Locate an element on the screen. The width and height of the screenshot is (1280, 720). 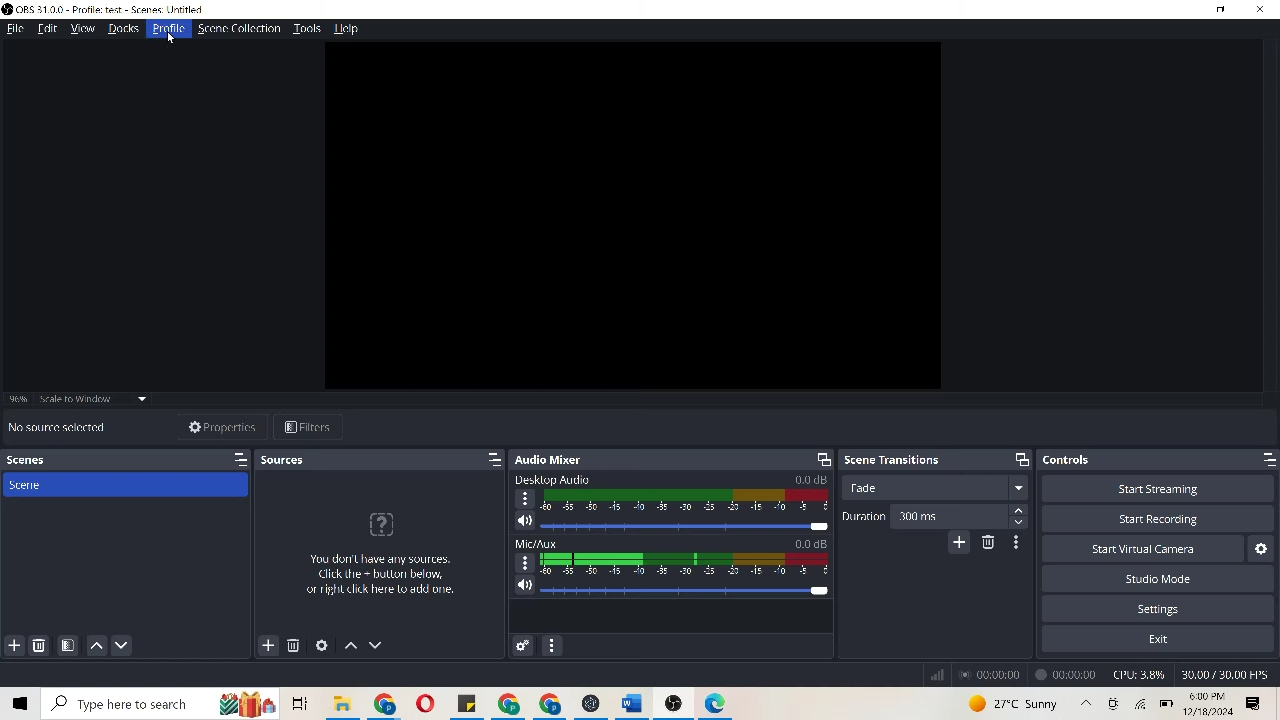
open scene filters is located at coordinates (68, 642).